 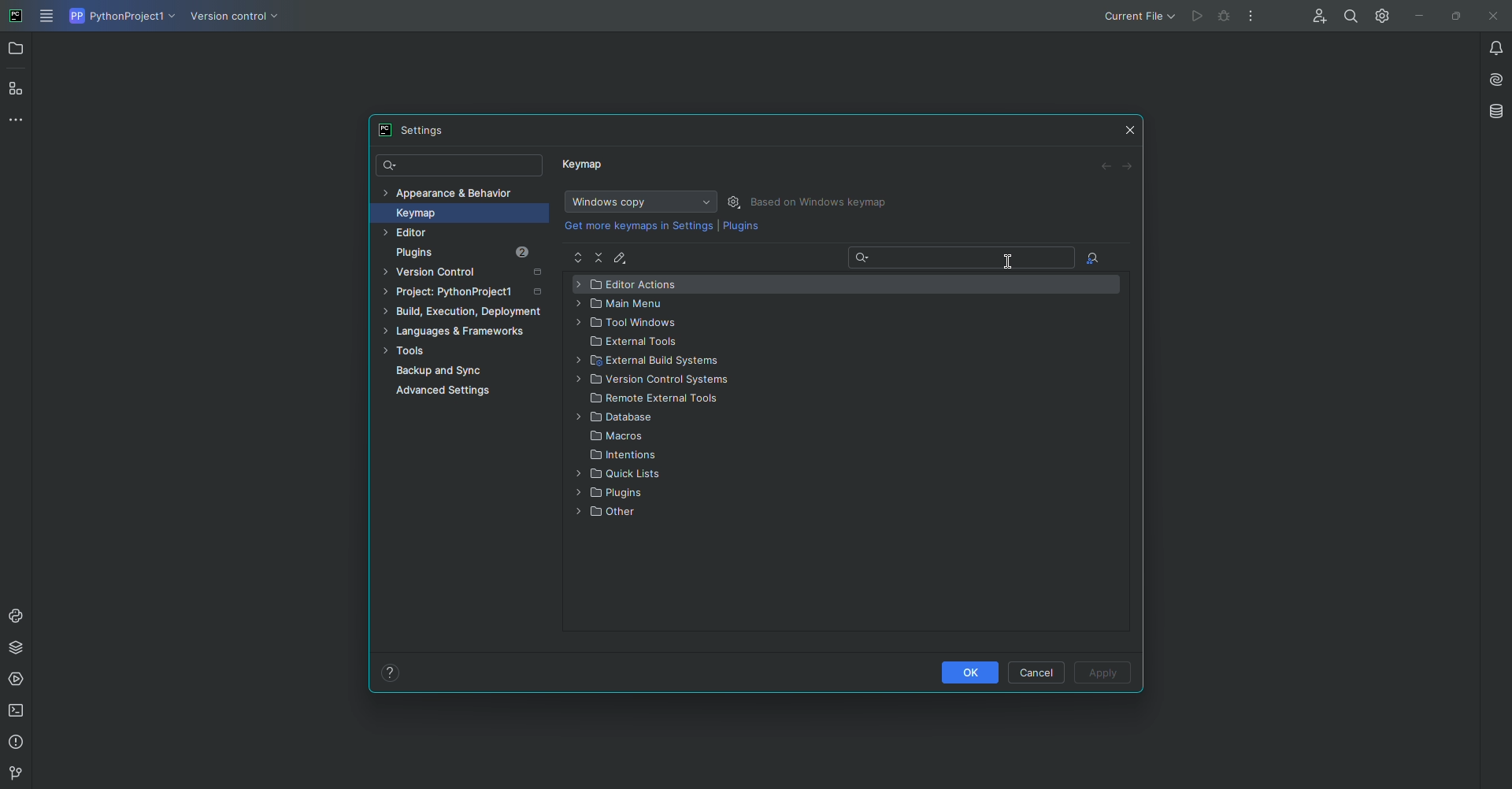 I want to click on Expand, so click(x=578, y=258).